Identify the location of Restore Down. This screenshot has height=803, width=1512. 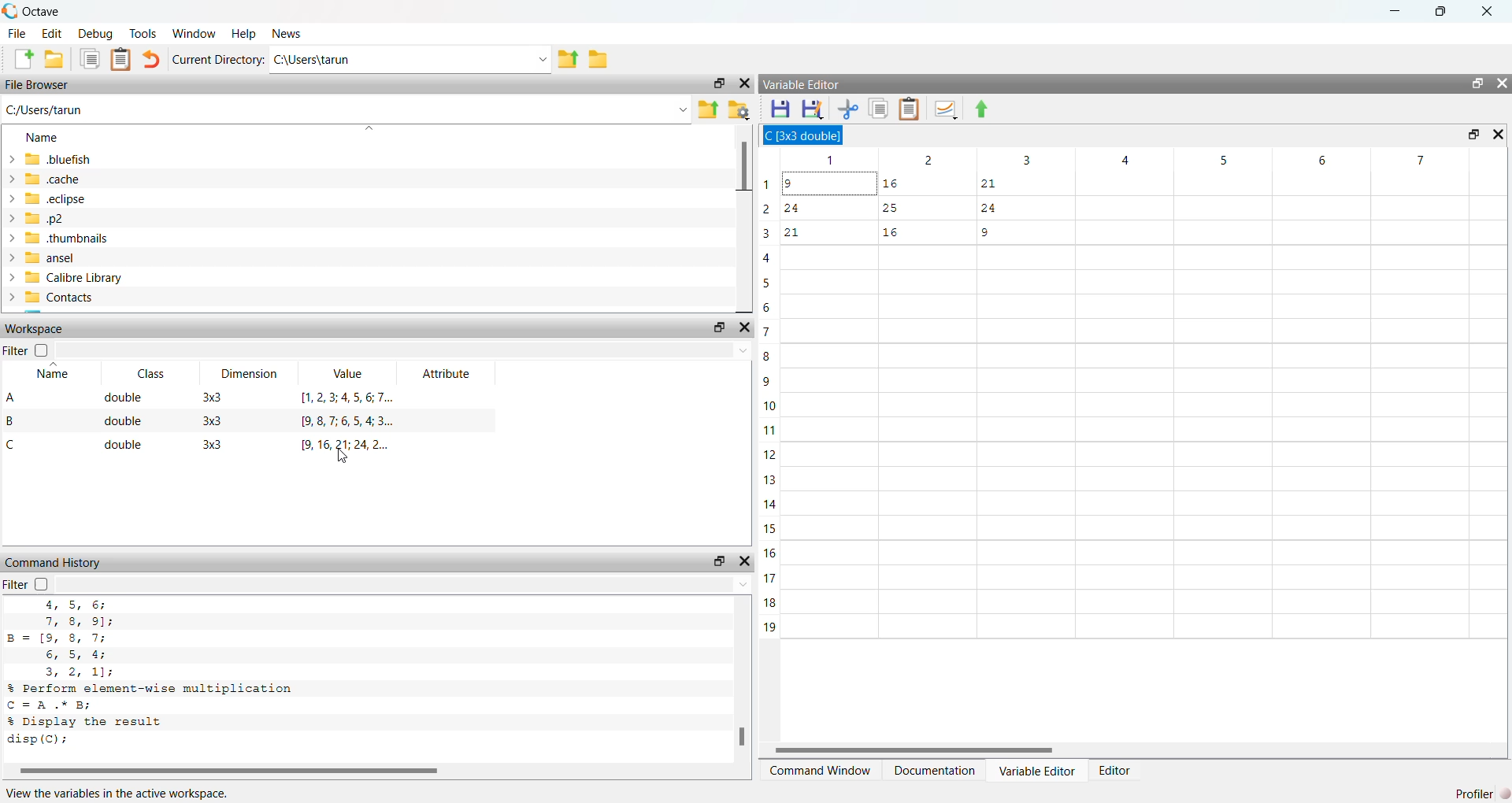
(719, 83).